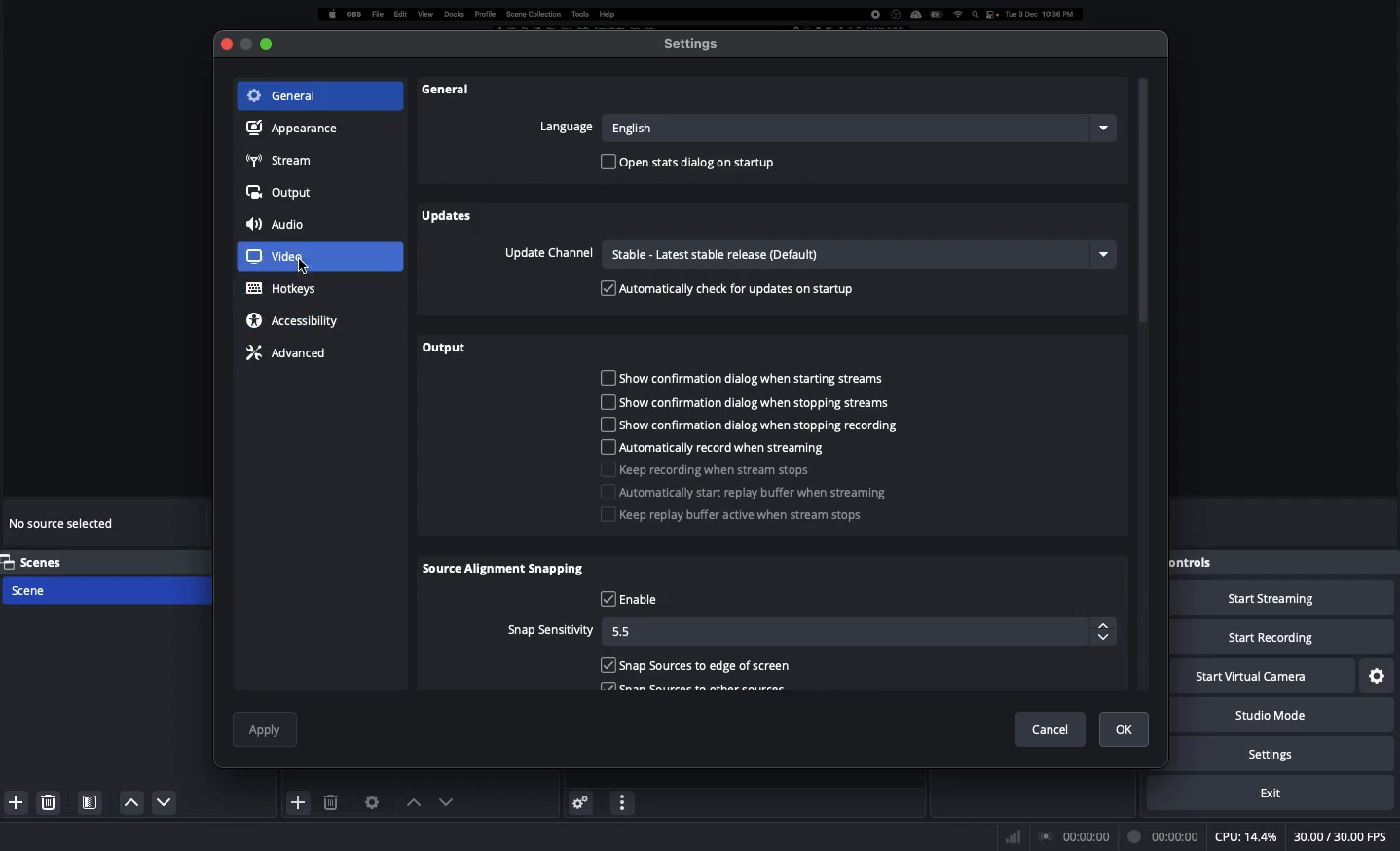  Describe the element at coordinates (749, 378) in the screenshot. I see `Show confirmation dialog when starting streams` at that location.